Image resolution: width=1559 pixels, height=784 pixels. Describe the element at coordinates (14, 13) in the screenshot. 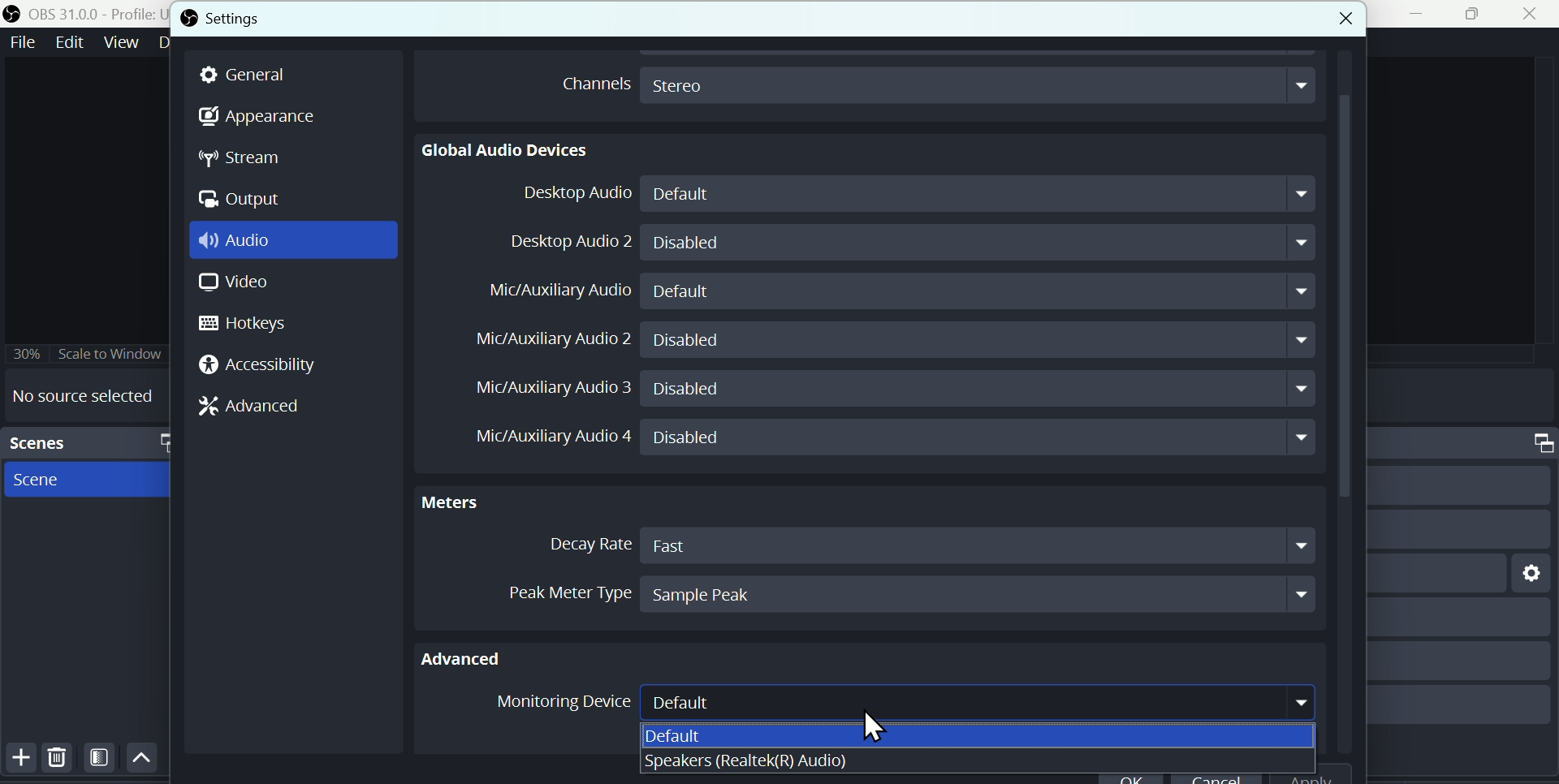

I see `OBS logo` at that location.